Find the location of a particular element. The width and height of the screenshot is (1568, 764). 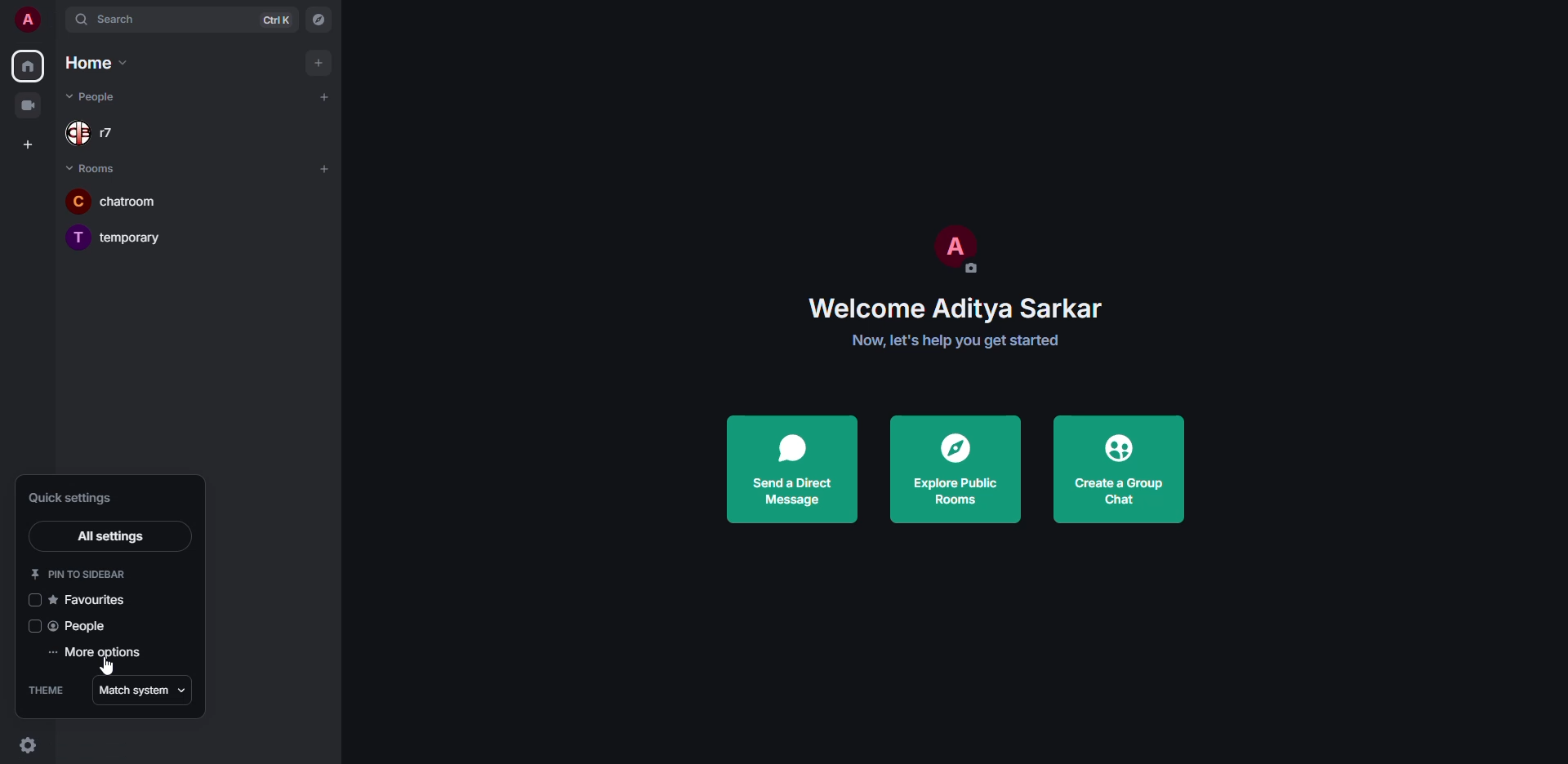

expand is located at coordinates (57, 19).